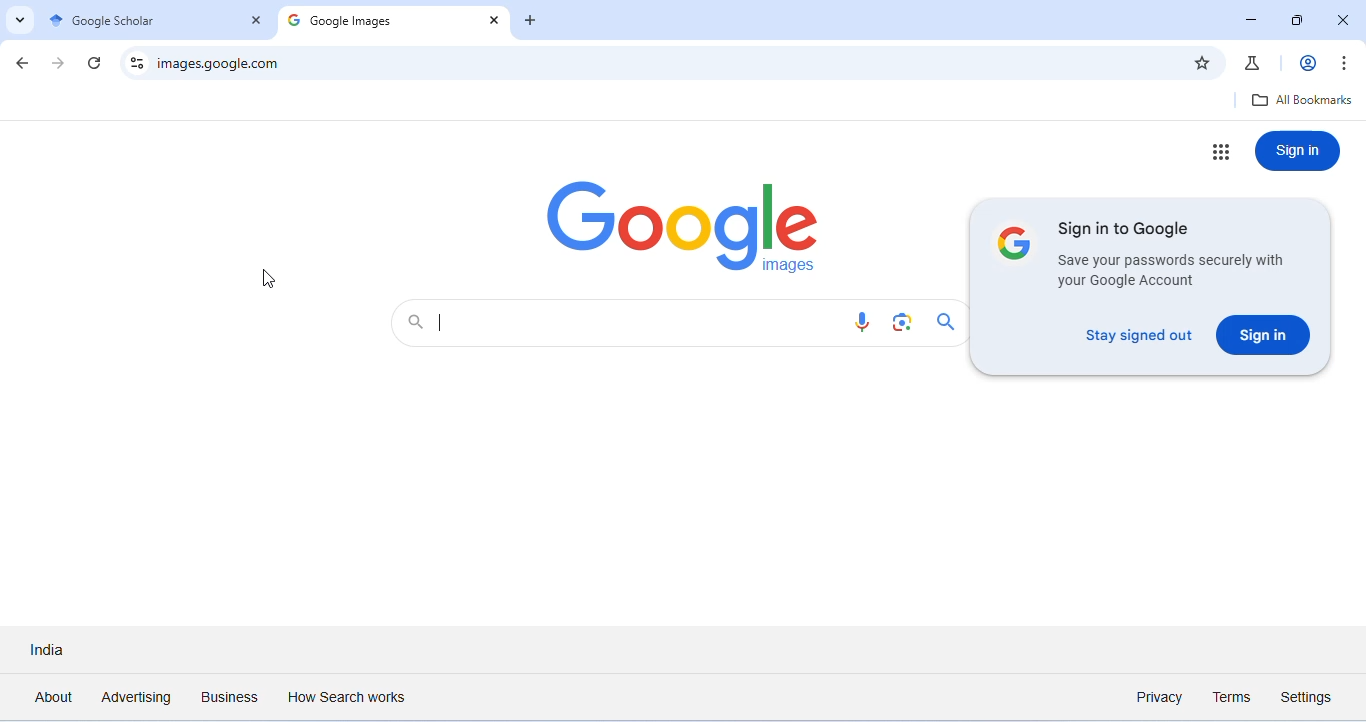 The height and width of the screenshot is (722, 1366). Describe the element at coordinates (1248, 20) in the screenshot. I see `minimize` at that location.